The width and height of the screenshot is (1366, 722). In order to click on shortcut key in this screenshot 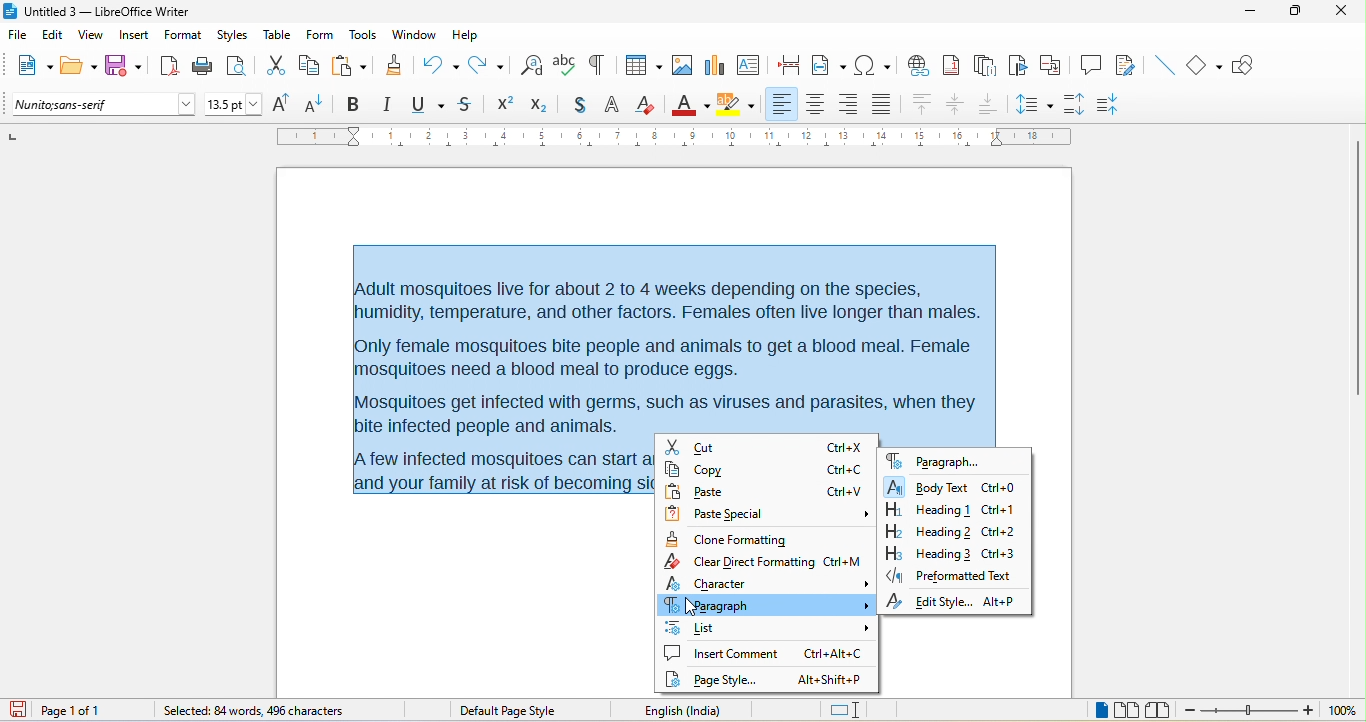, I will do `click(846, 470)`.